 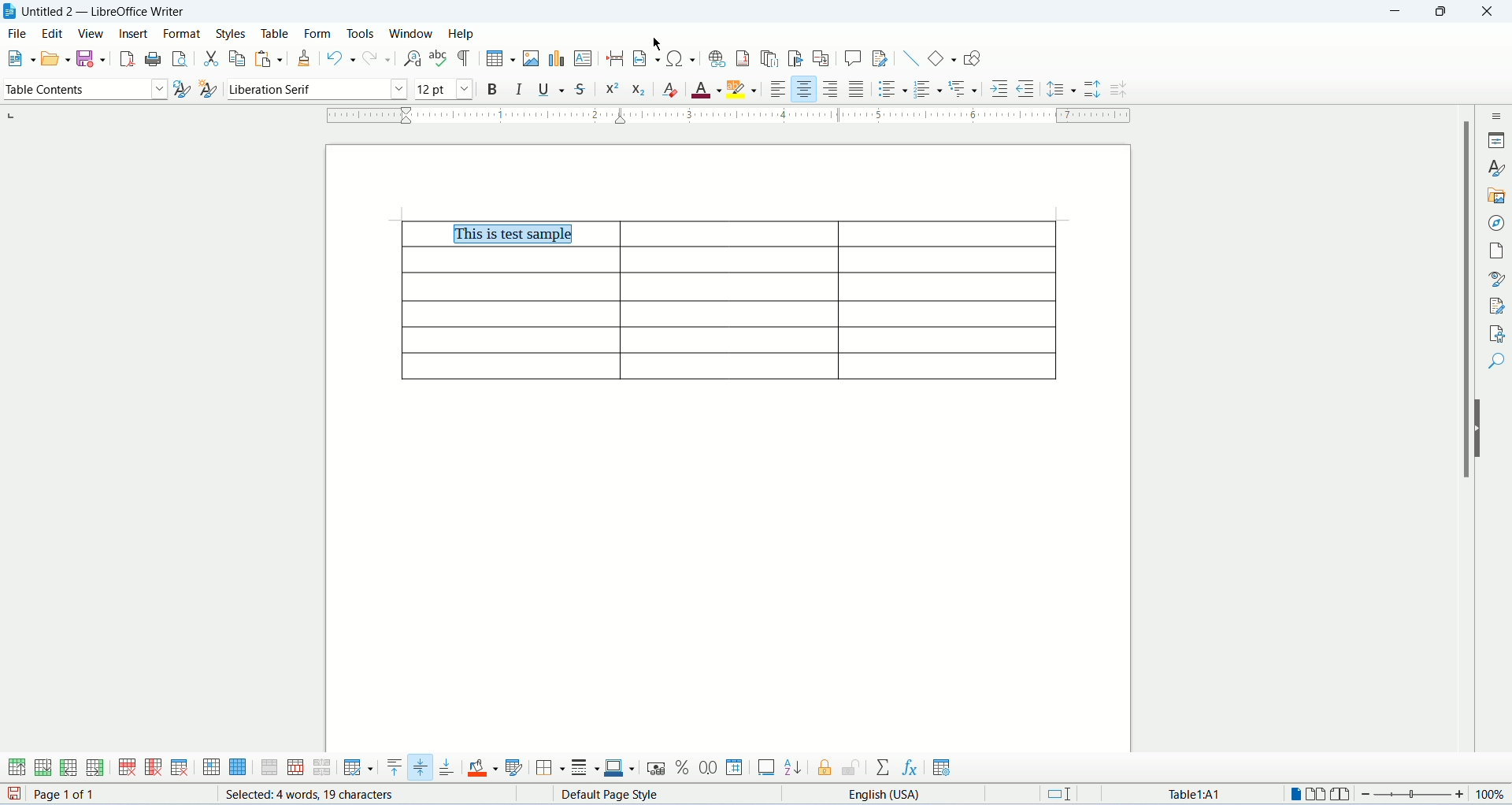 What do you see at coordinates (929, 88) in the screenshot?
I see `ordered list` at bounding box center [929, 88].